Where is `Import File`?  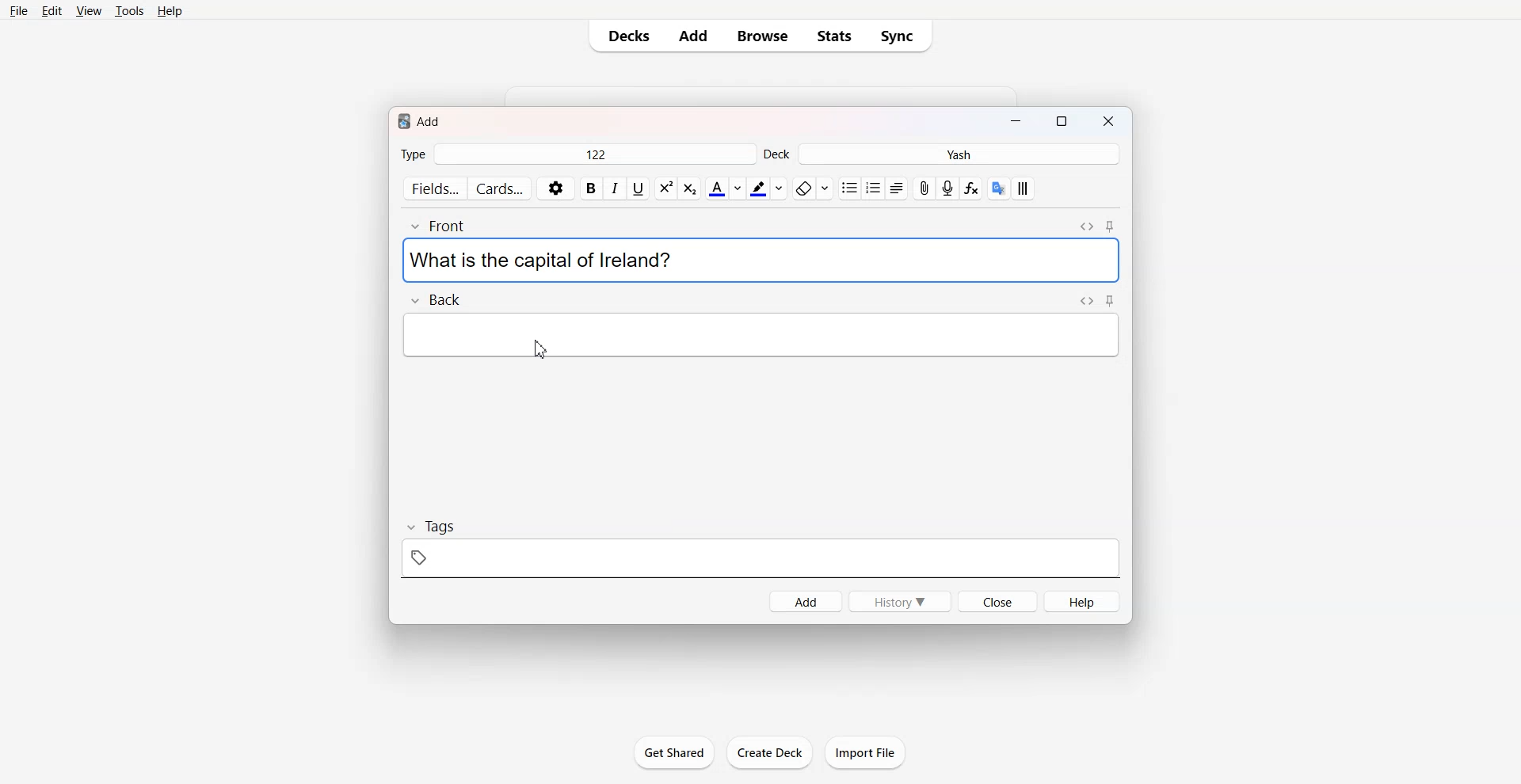 Import File is located at coordinates (866, 752).